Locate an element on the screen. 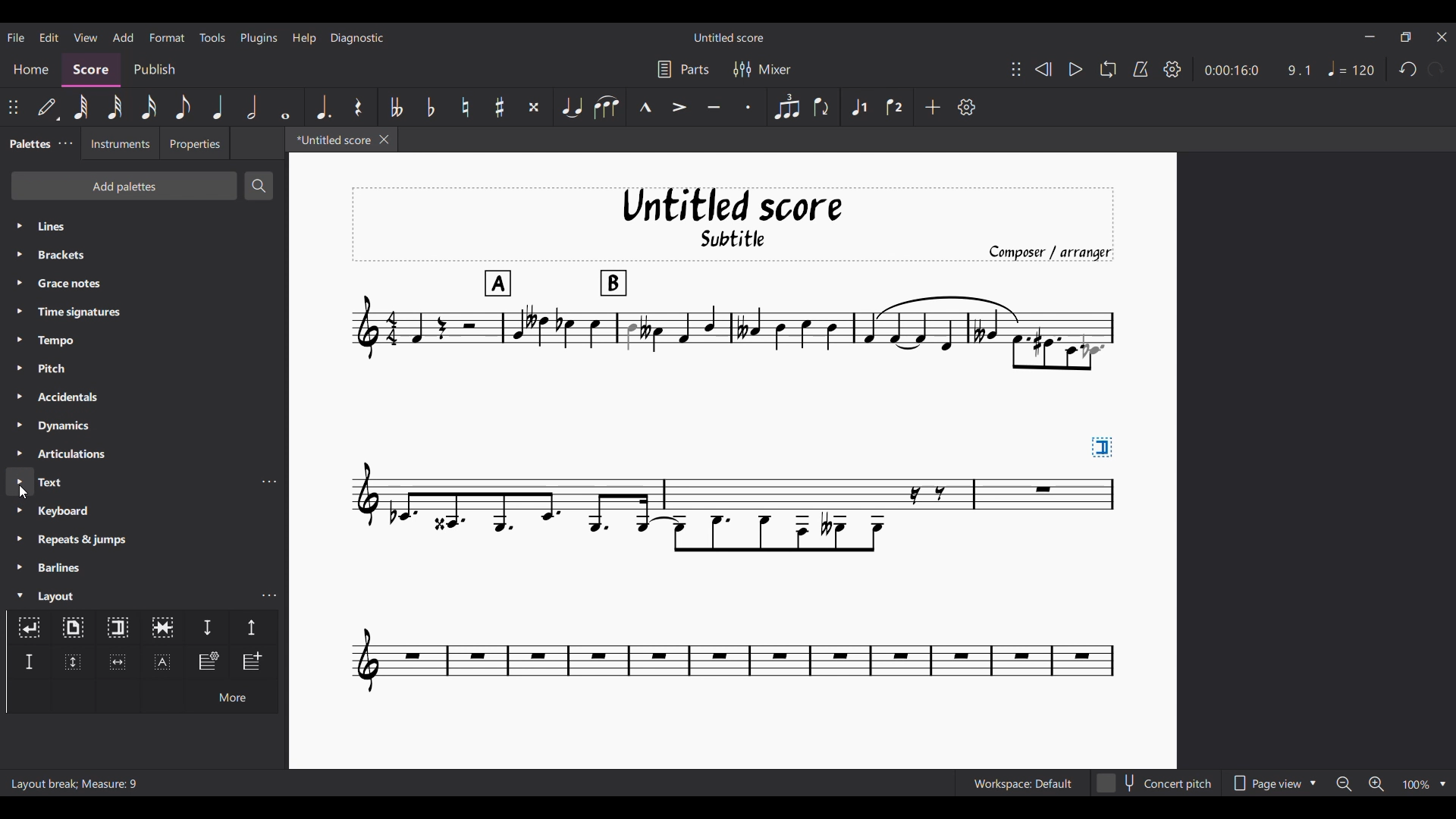  Insert text frame is located at coordinates (163, 661).